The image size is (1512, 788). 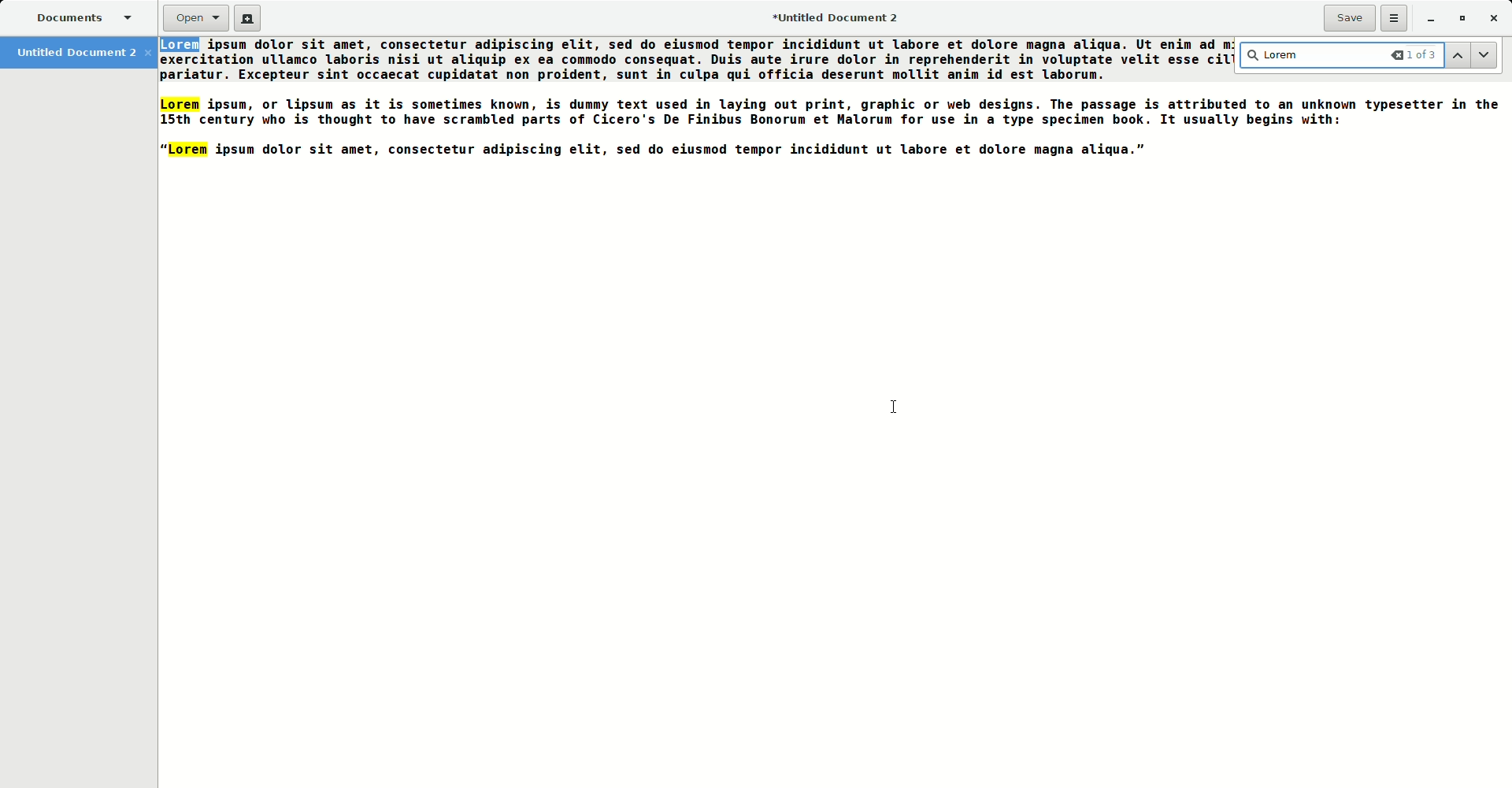 I want to click on Cursor, so click(x=895, y=407).